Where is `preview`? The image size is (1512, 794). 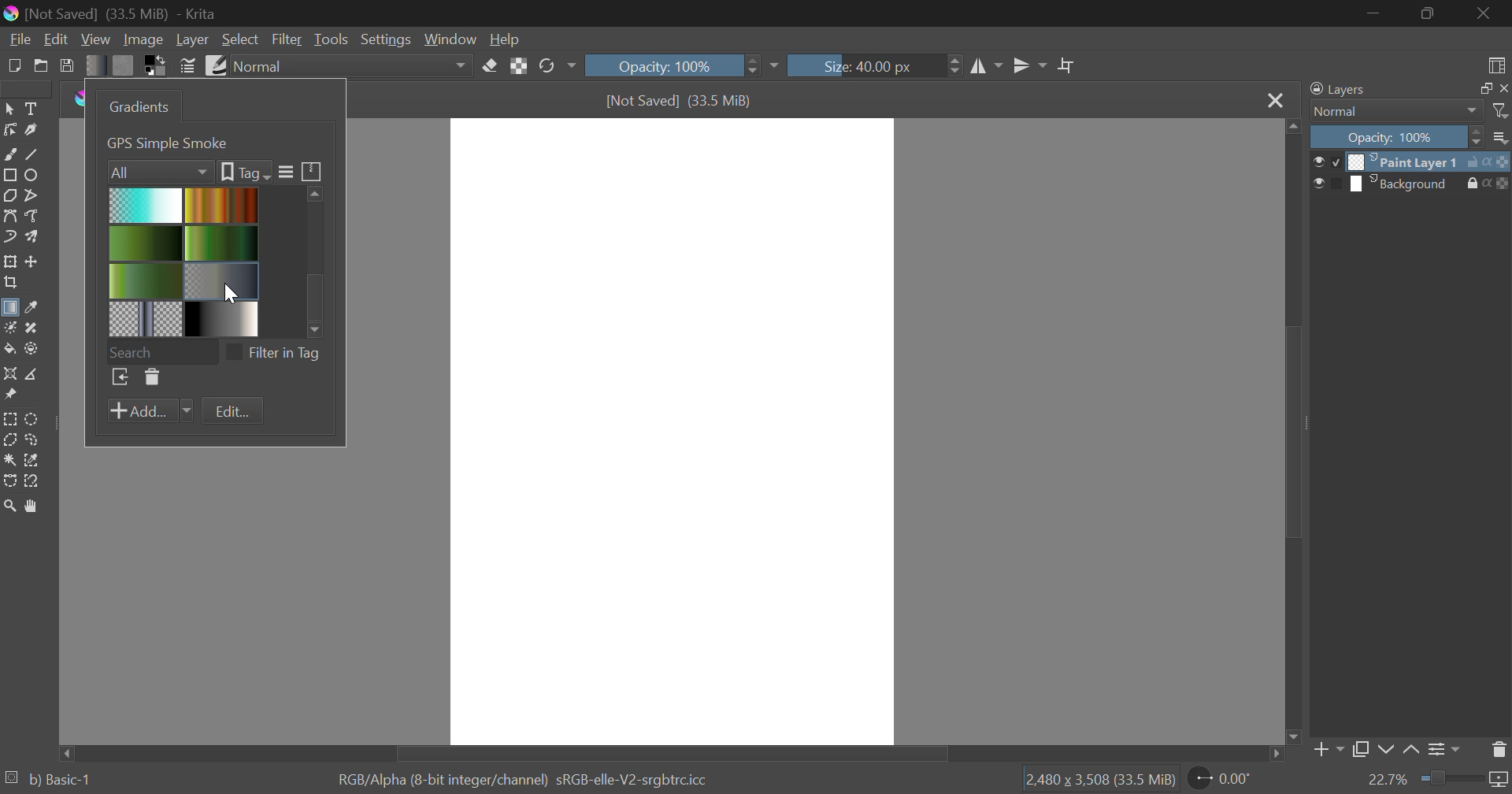
preview is located at coordinates (1327, 184).